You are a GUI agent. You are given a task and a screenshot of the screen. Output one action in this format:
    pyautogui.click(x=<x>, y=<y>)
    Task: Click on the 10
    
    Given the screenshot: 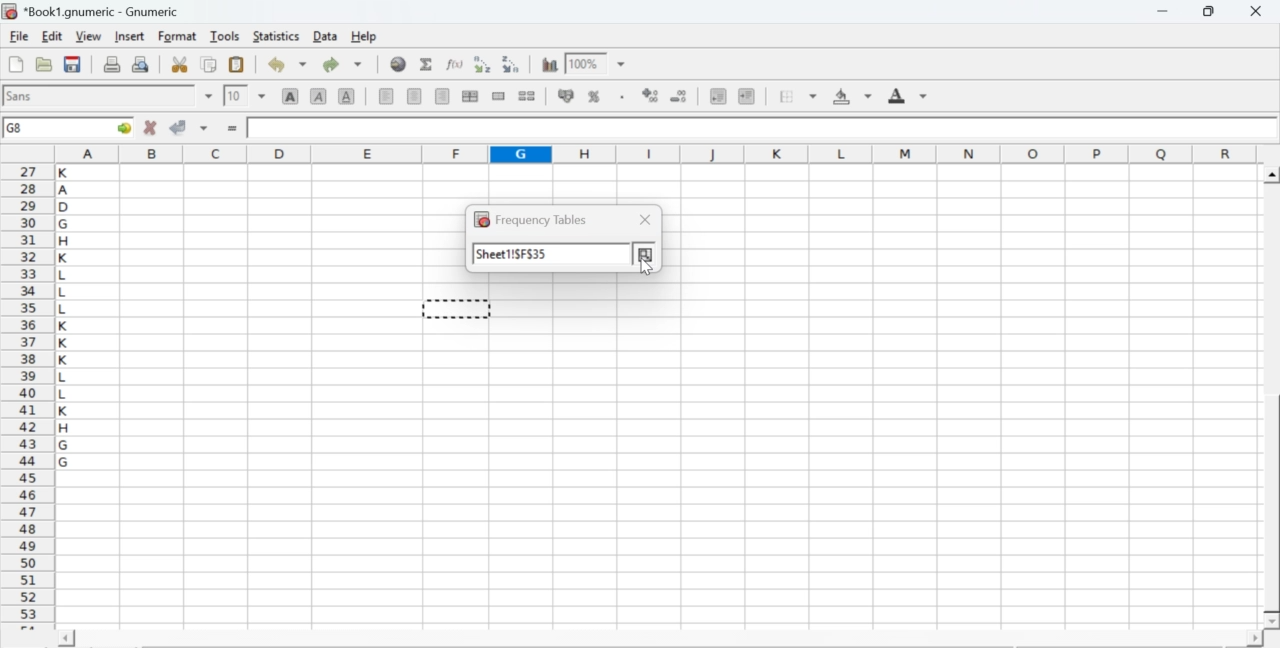 What is the action you would take?
    pyautogui.click(x=235, y=96)
    